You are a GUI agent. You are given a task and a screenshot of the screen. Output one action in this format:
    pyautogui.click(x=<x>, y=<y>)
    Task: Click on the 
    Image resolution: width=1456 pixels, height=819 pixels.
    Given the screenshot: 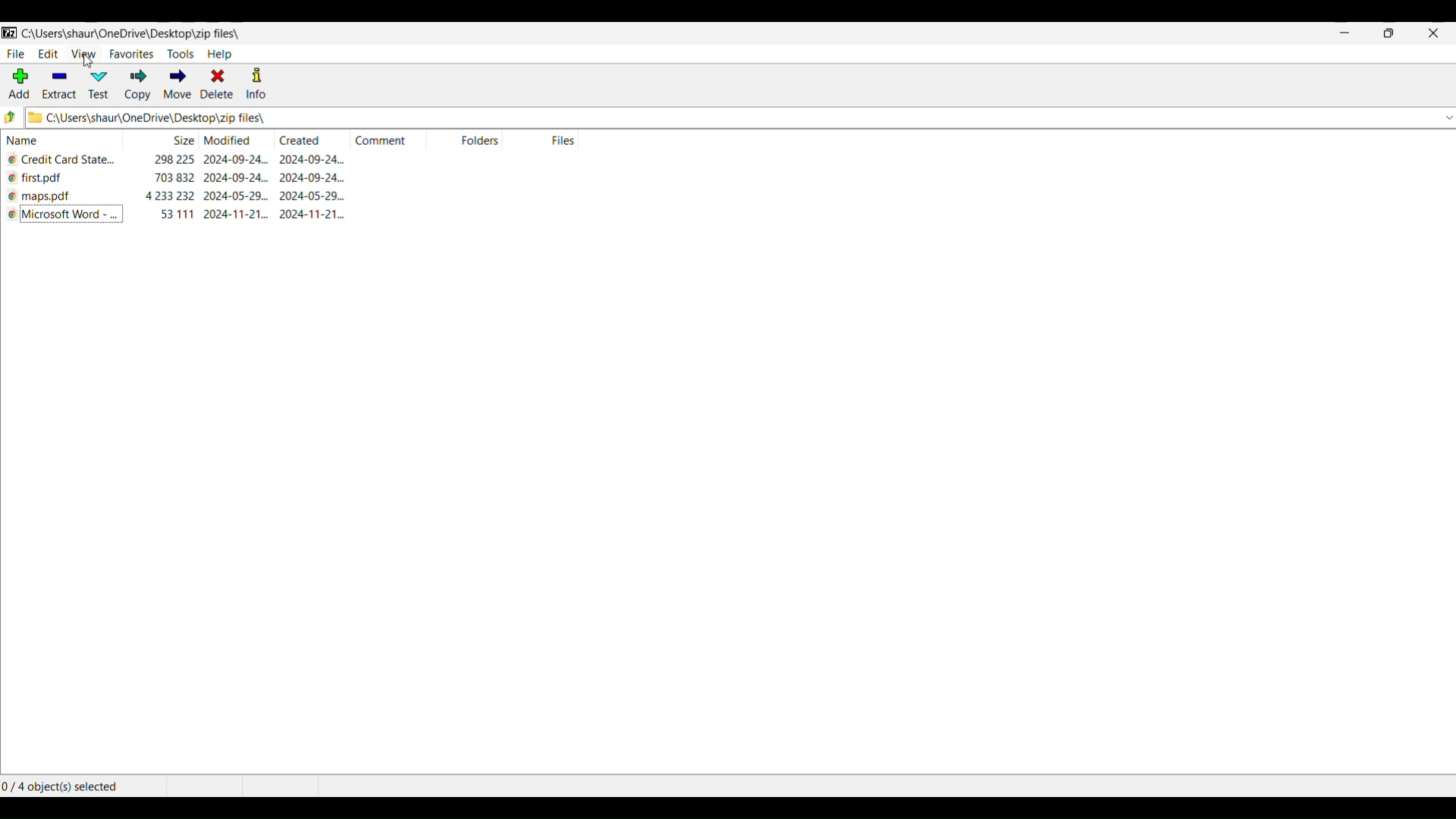 What is the action you would take?
    pyautogui.click(x=71, y=218)
    